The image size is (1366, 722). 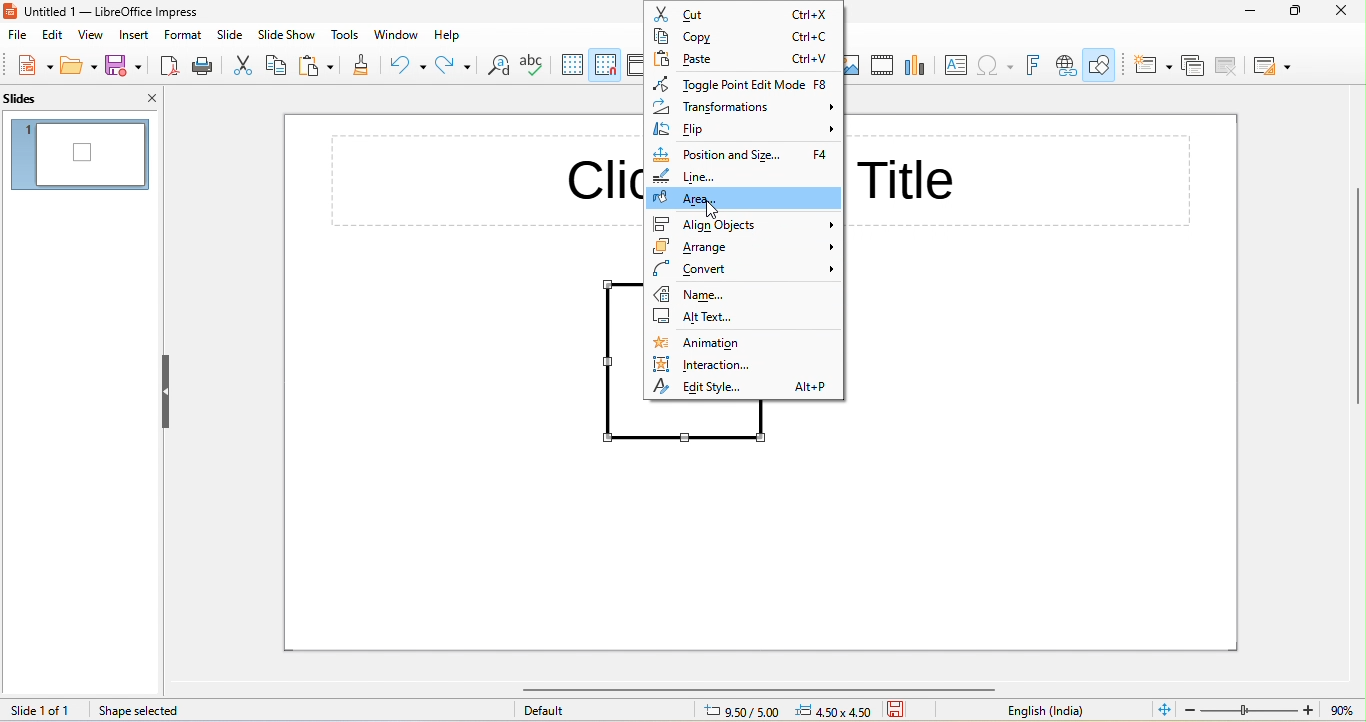 I want to click on maximize, so click(x=1296, y=12).